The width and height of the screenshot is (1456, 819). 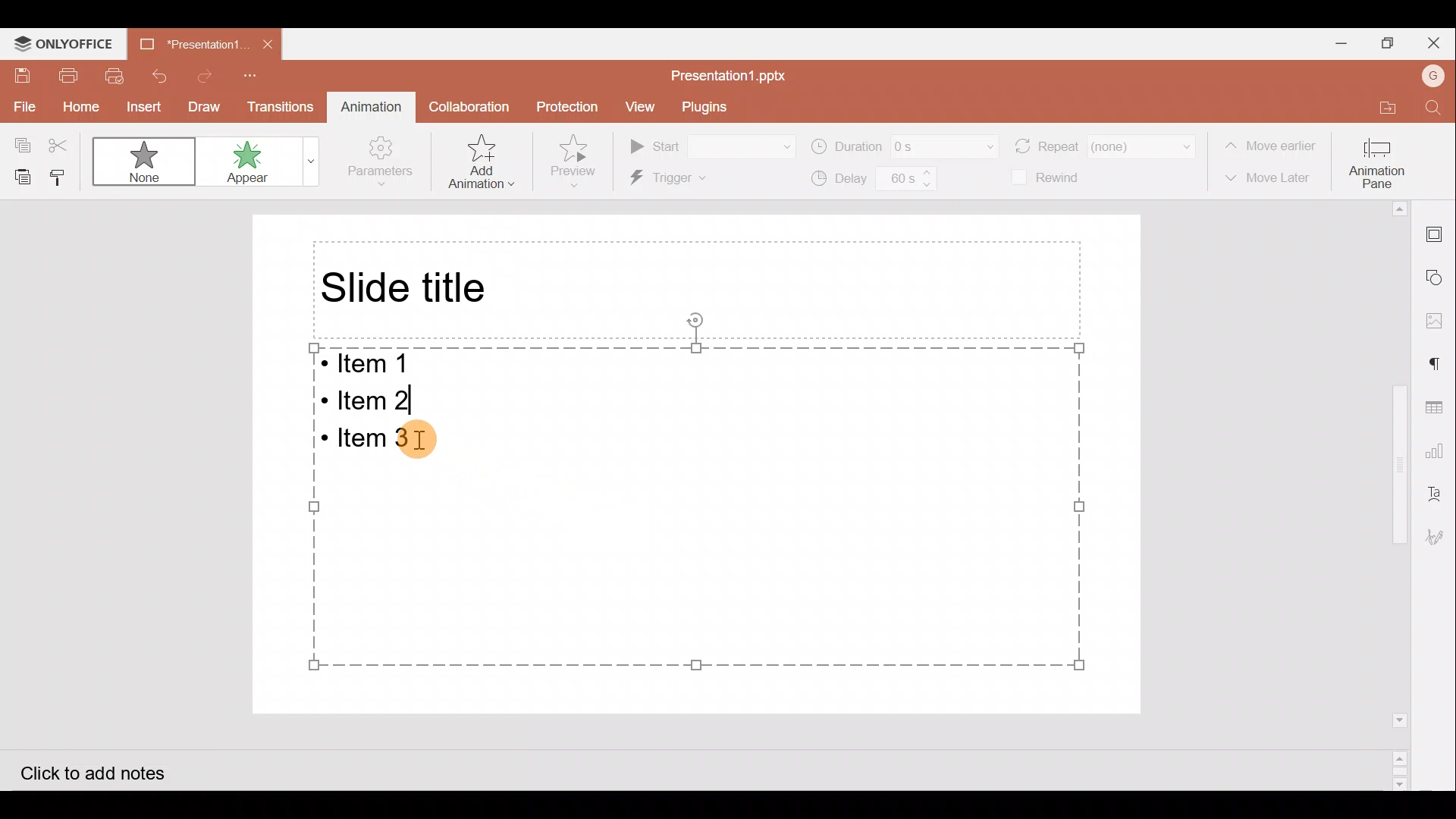 I want to click on Repeat, so click(x=1105, y=145).